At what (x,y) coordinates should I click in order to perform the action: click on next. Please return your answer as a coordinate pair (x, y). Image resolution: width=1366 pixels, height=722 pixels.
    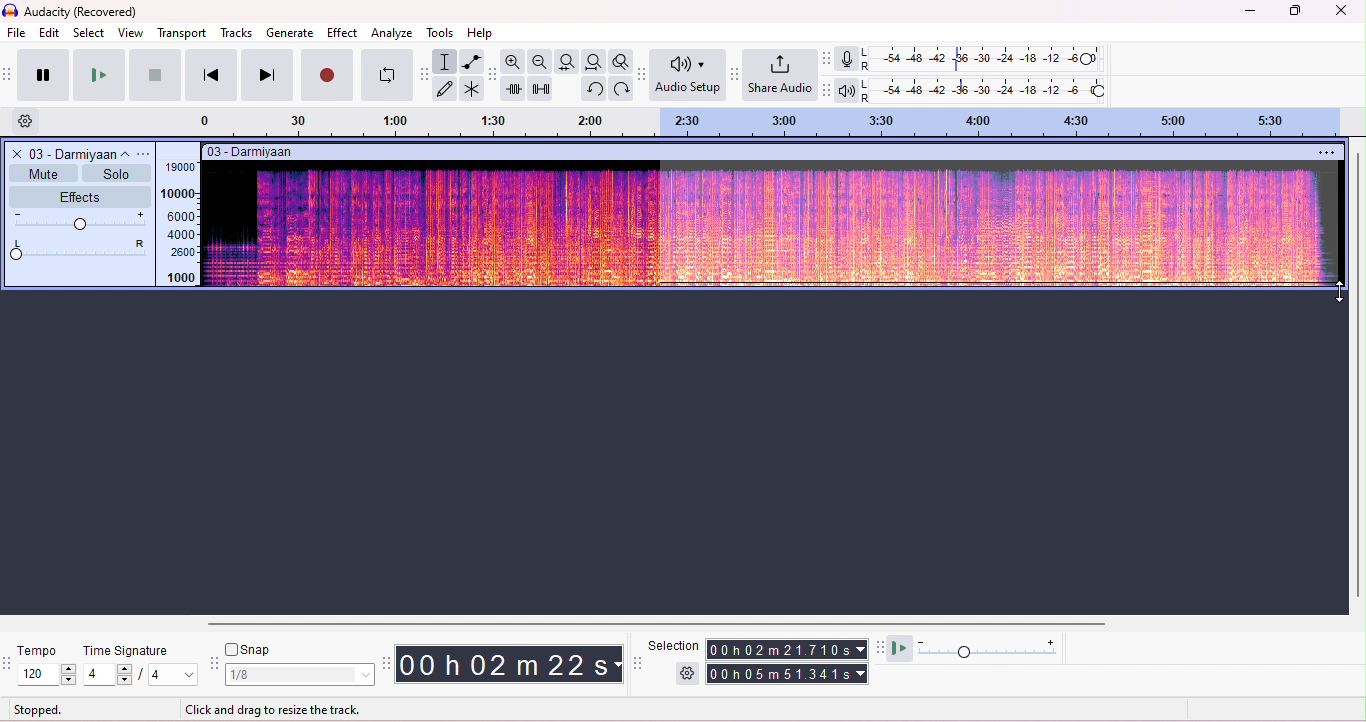
    Looking at the image, I should click on (266, 75).